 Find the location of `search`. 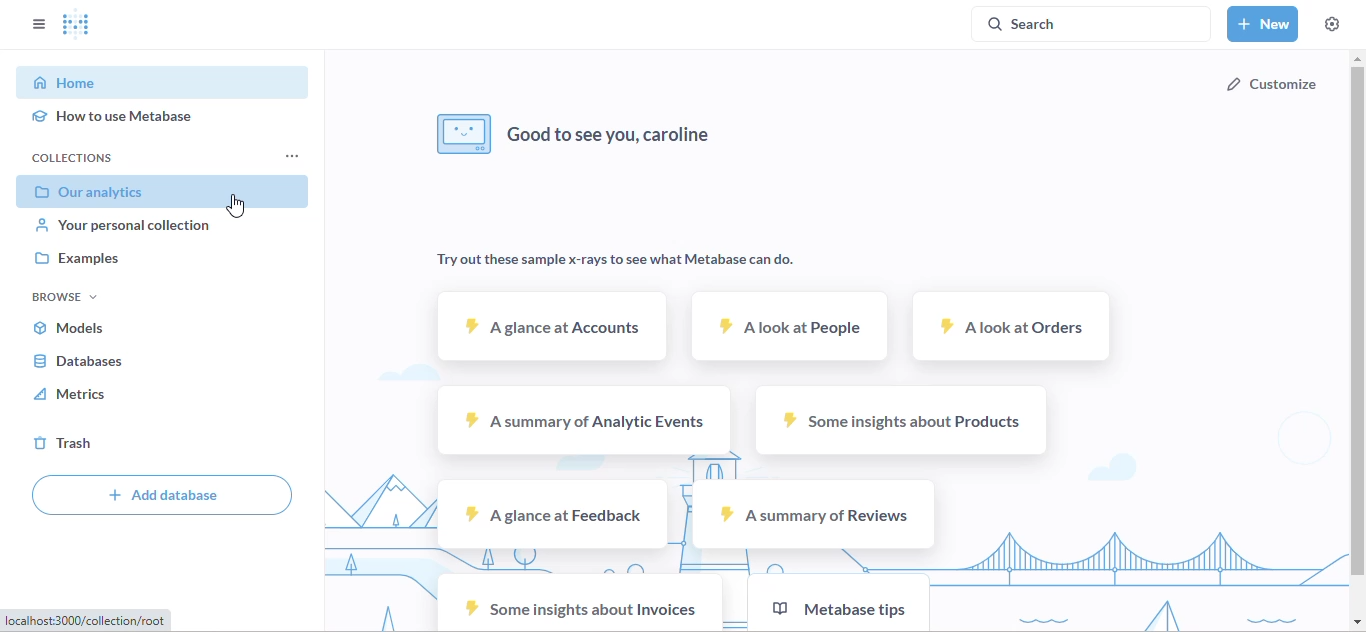

search is located at coordinates (1091, 23).